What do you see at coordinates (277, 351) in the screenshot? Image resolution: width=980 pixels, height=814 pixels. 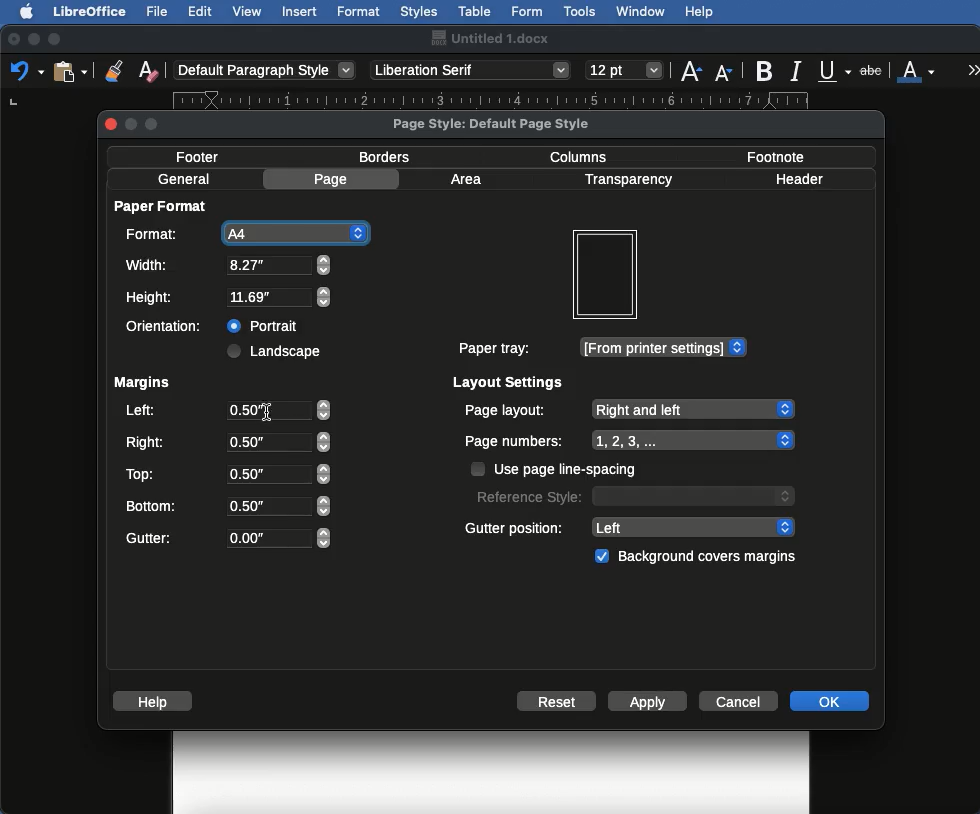 I see `Landscape` at bounding box center [277, 351].